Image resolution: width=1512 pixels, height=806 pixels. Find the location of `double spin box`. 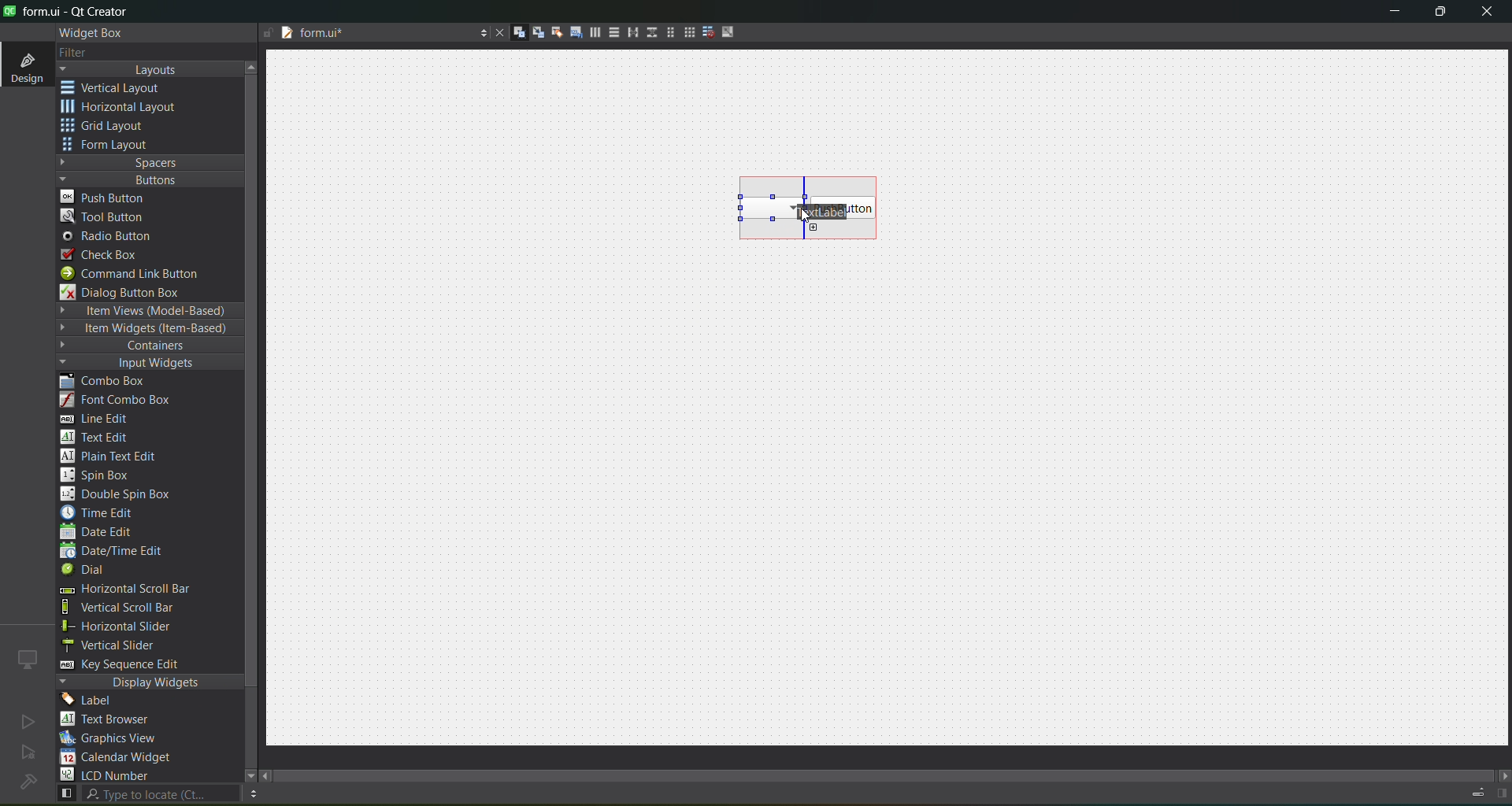

double spin box is located at coordinates (127, 494).